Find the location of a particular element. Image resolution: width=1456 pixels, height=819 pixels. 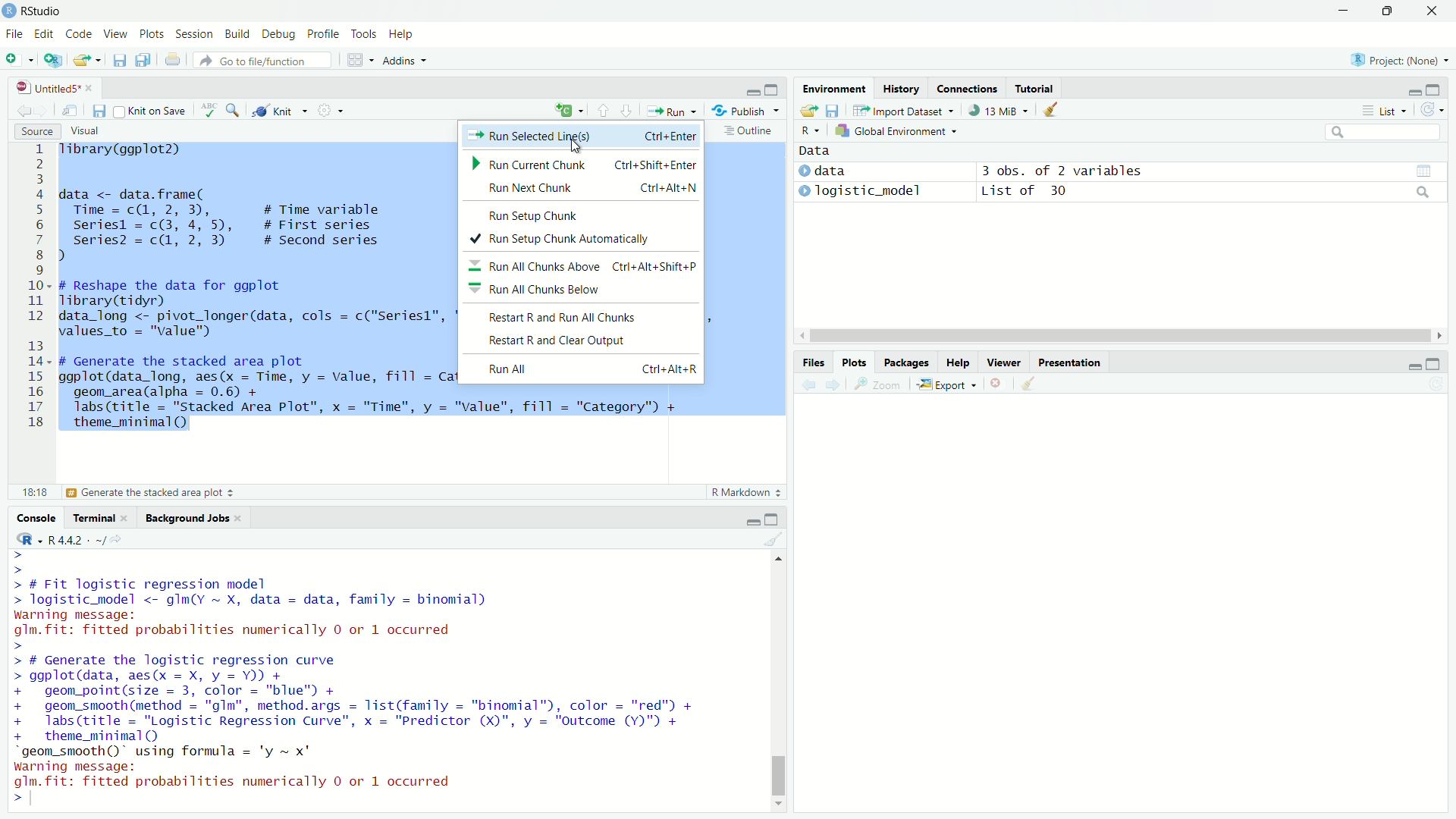

close is located at coordinates (1435, 10).